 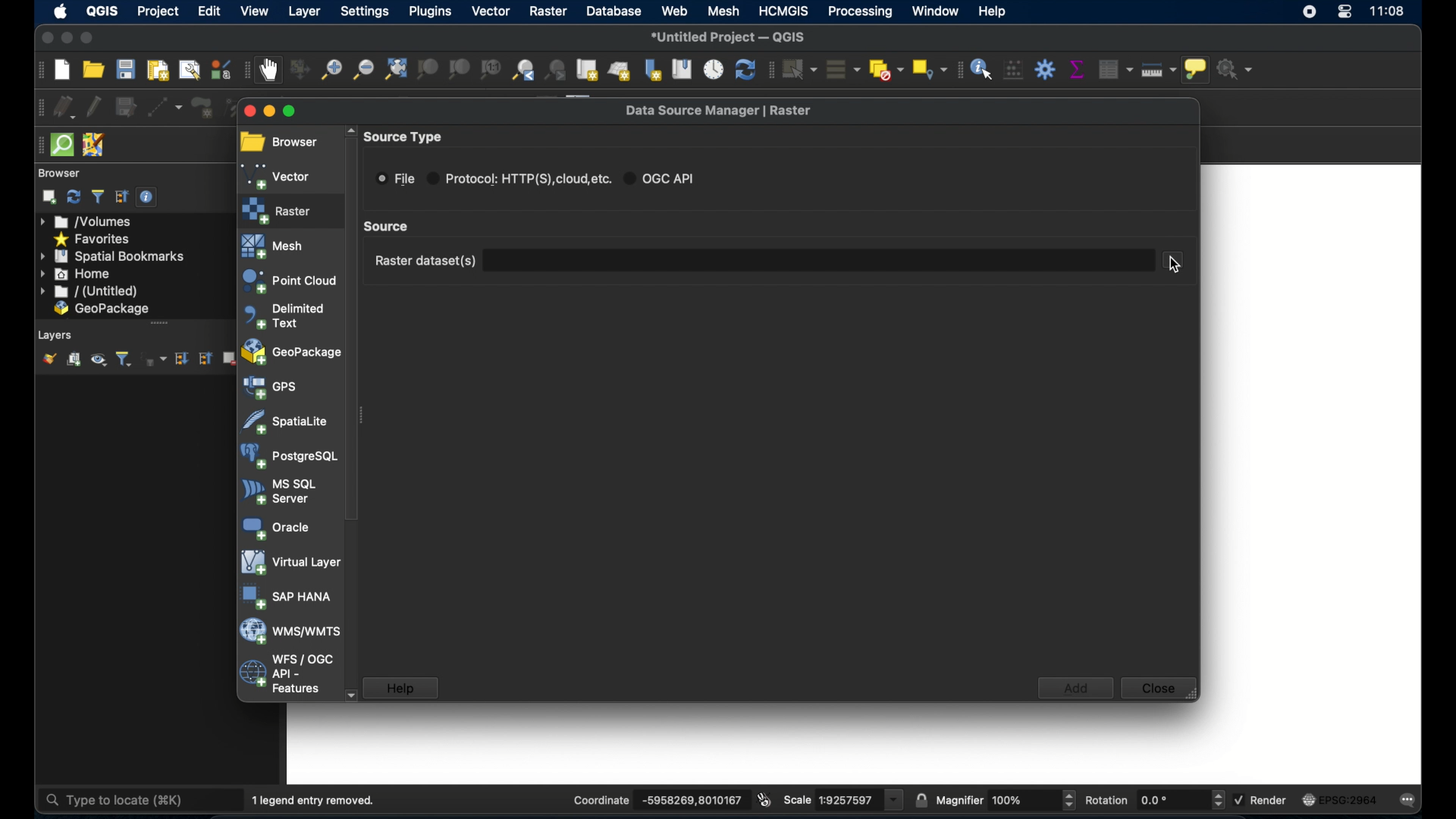 What do you see at coordinates (1345, 15) in the screenshot?
I see `control center` at bounding box center [1345, 15].